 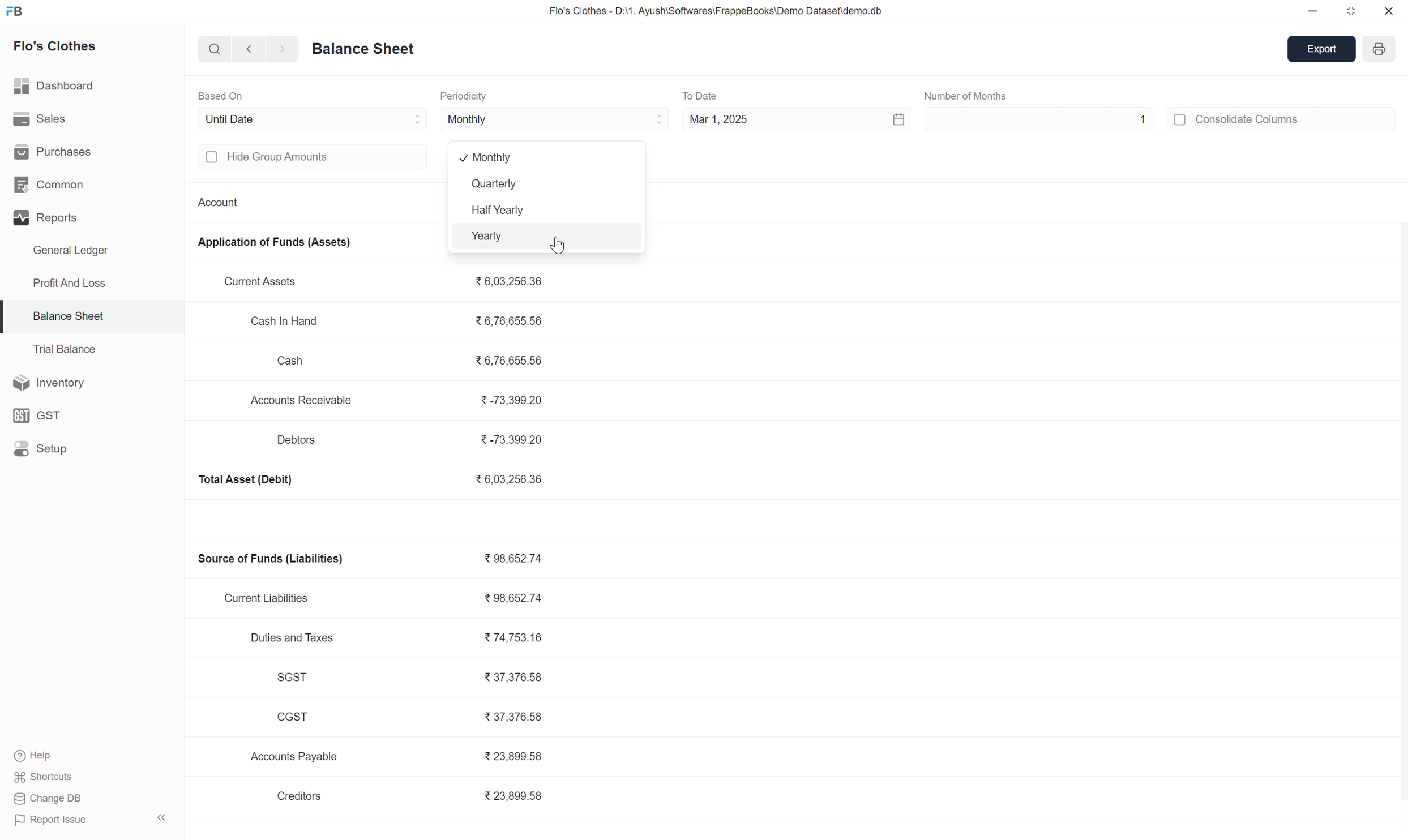 I want to click on maximize, so click(x=1350, y=11).